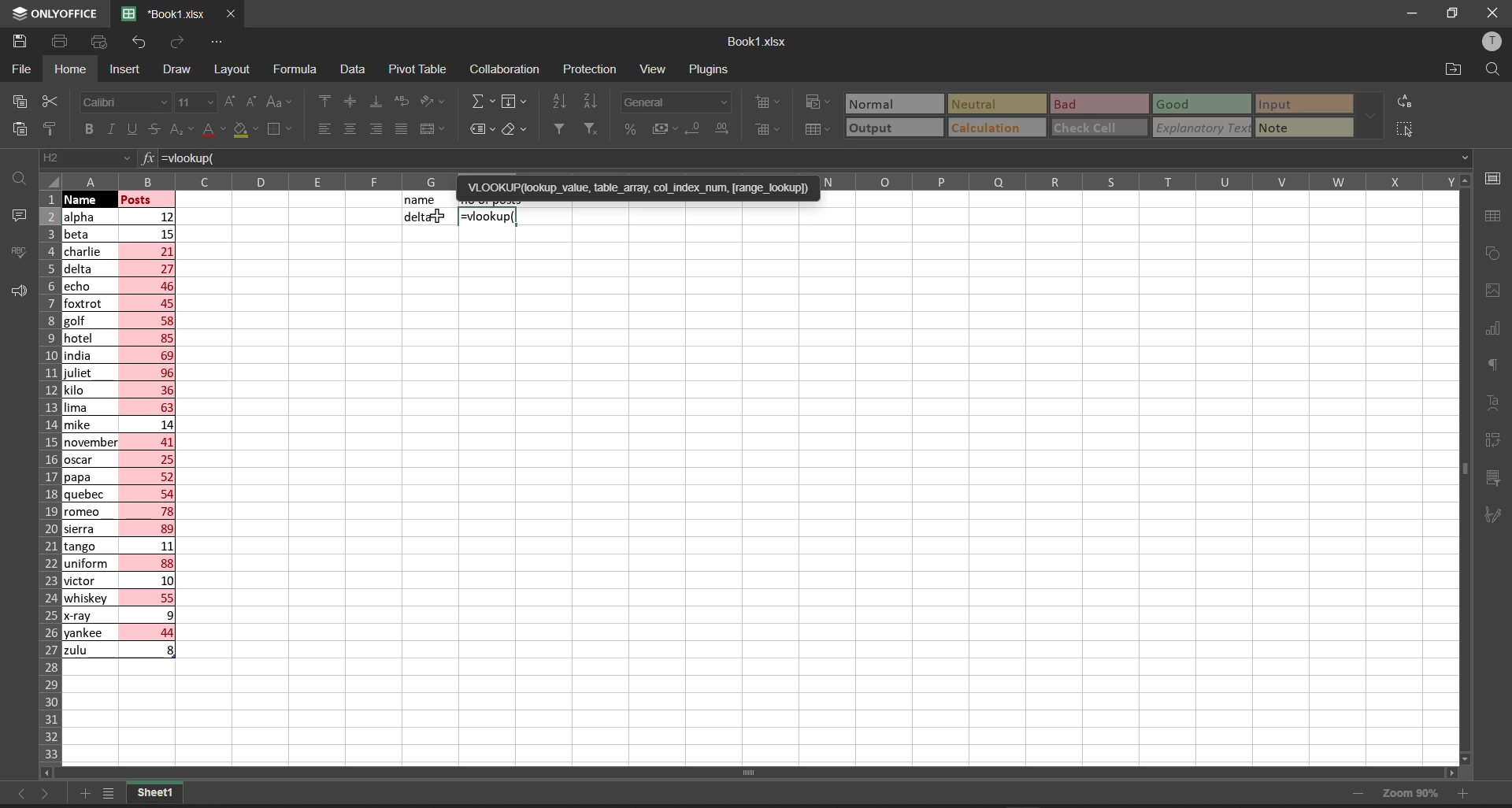  I want to click on paragraph settings, so click(1496, 366).